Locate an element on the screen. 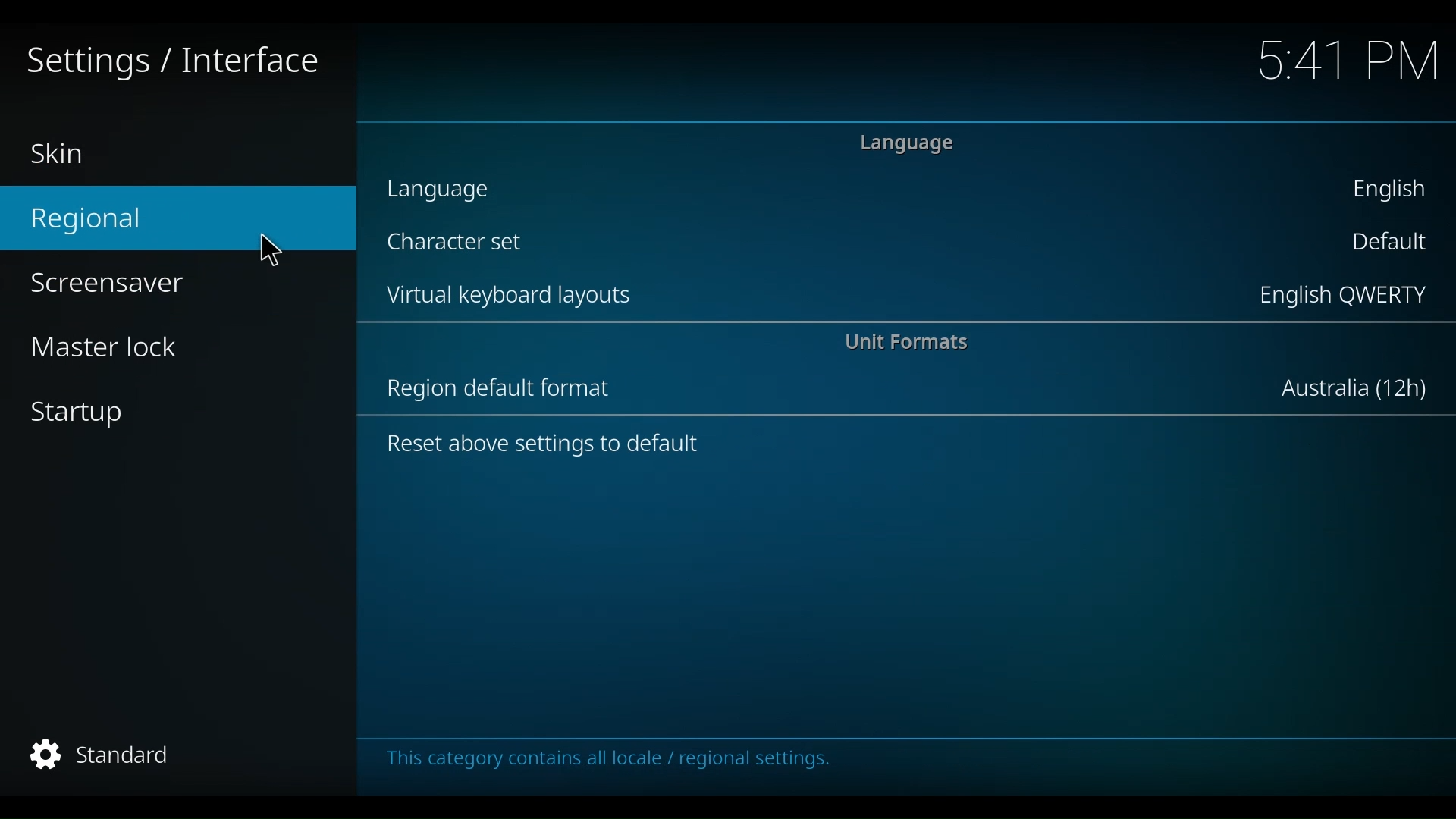 The image size is (1456, 819). Character is located at coordinates (462, 244).